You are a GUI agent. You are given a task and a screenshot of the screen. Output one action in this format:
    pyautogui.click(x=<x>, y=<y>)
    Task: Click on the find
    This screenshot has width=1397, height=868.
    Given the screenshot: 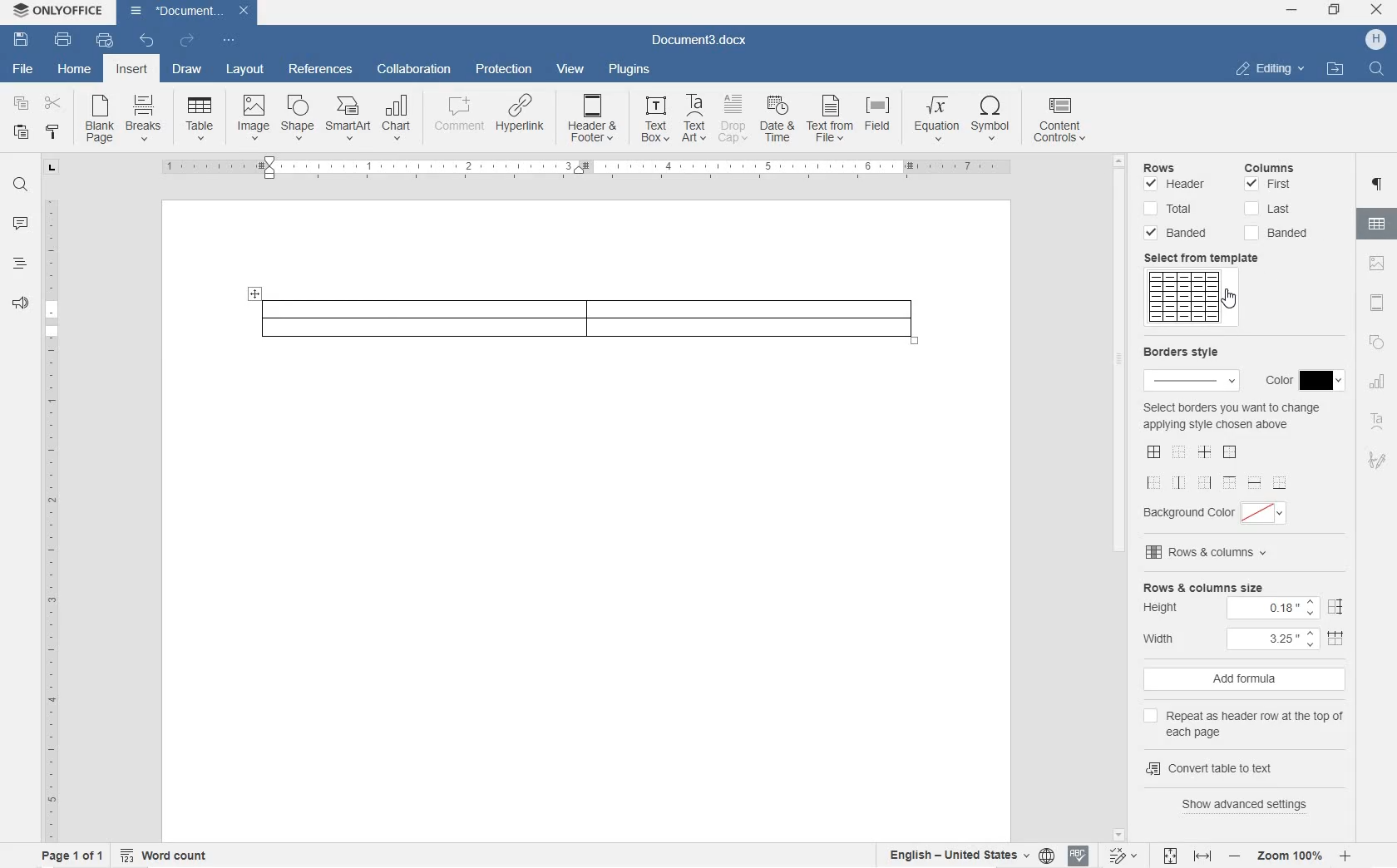 What is the action you would take?
    pyautogui.click(x=1379, y=70)
    